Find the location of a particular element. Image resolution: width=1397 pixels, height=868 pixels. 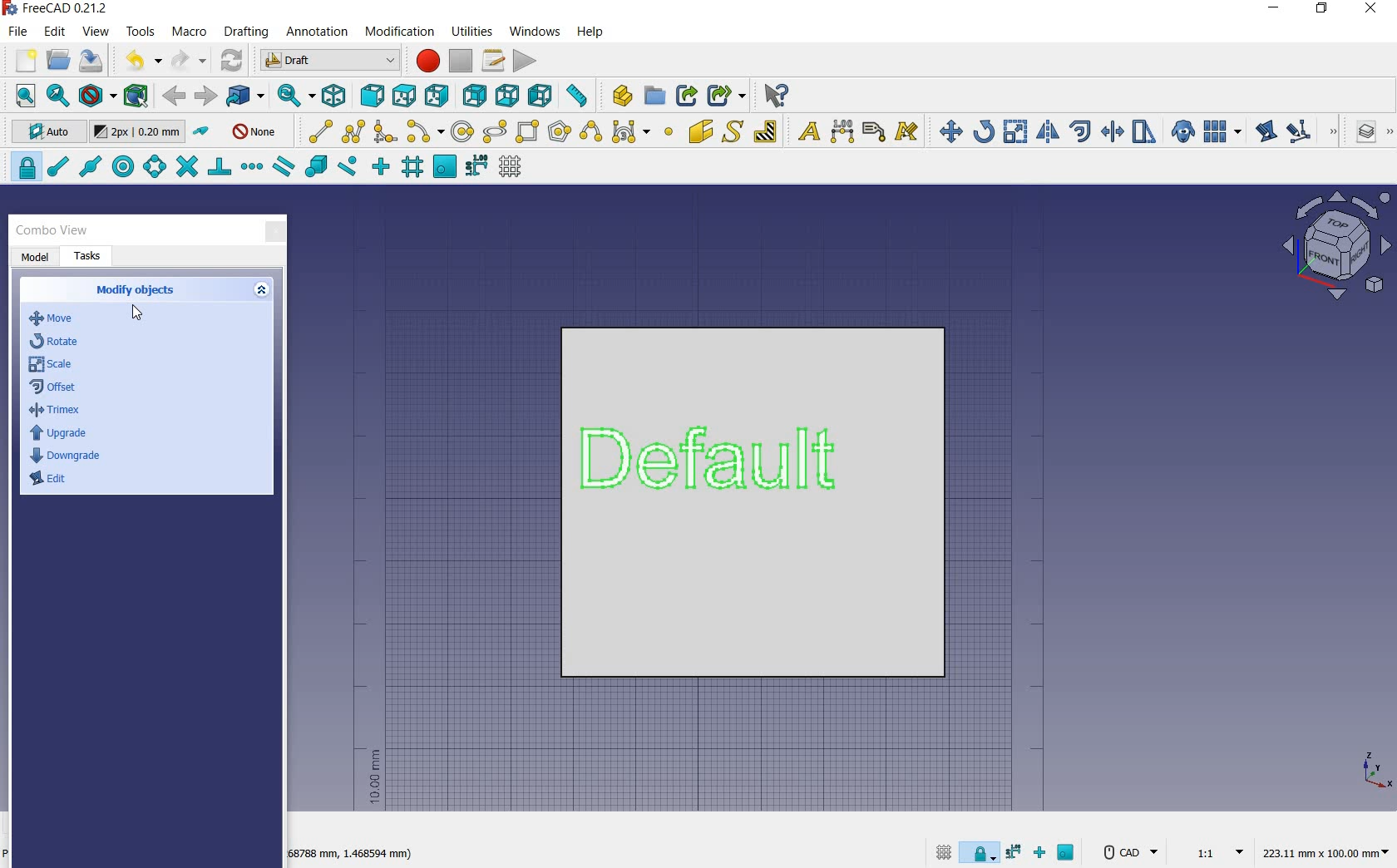

system name is located at coordinates (60, 8).